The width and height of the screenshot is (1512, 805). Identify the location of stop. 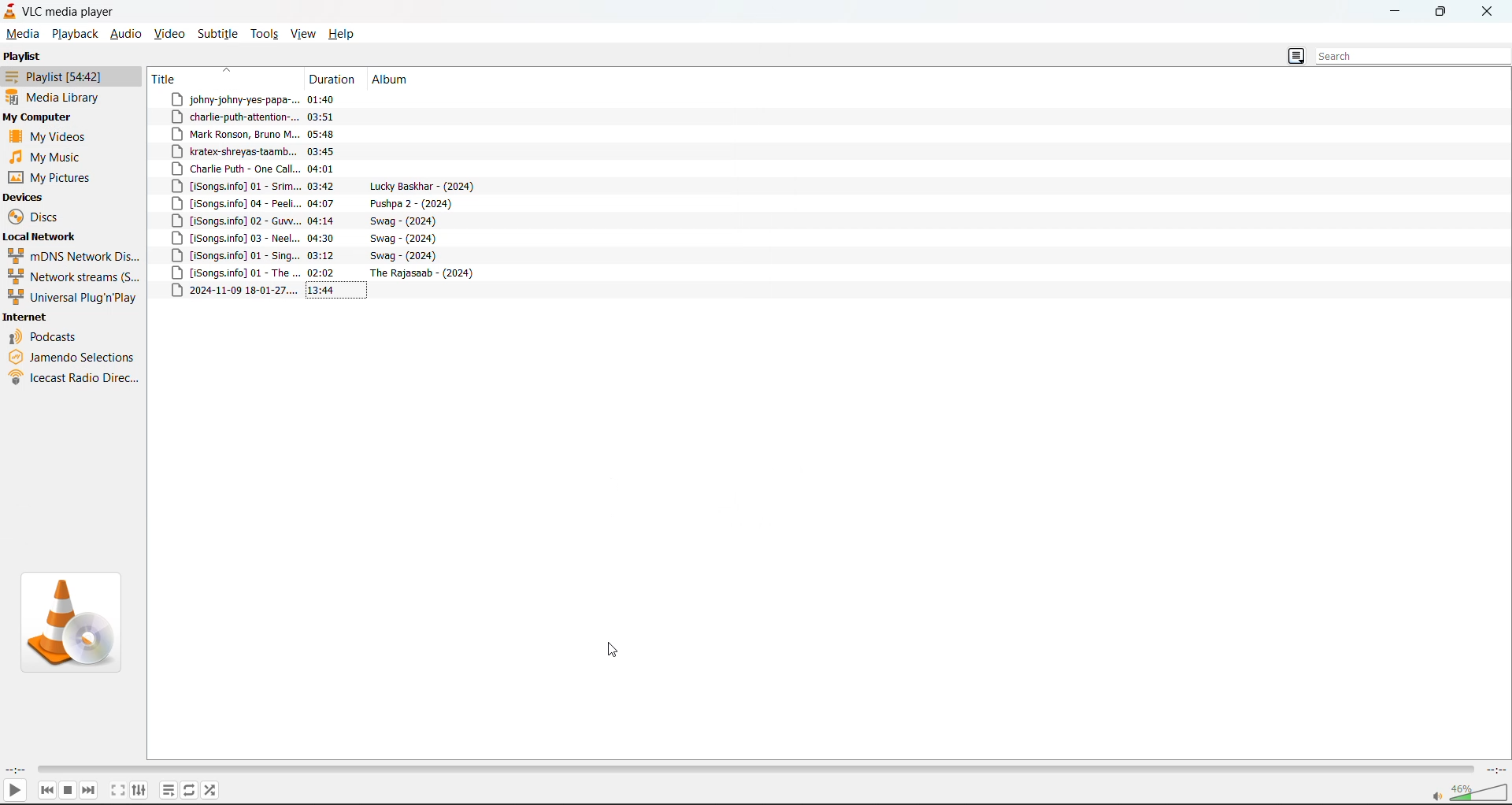
(69, 789).